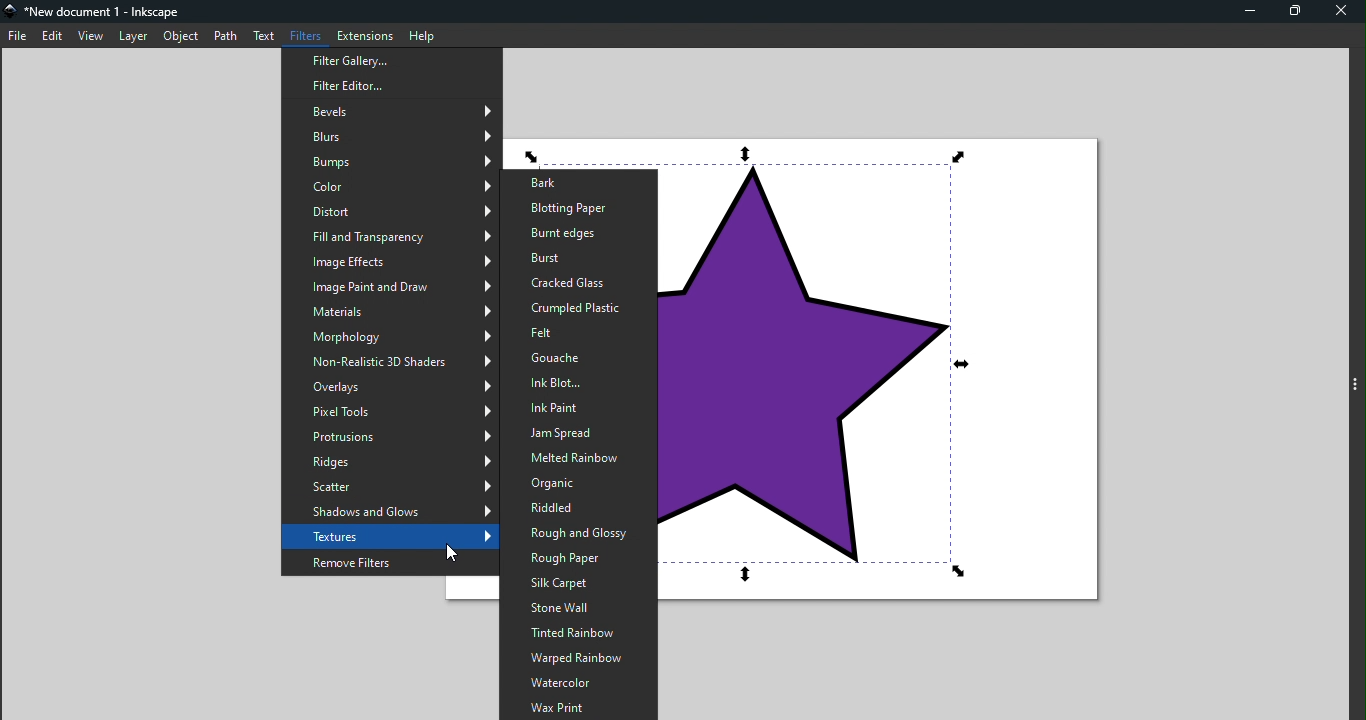 This screenshot has width=1366, height=720. What do you see at coordinates (1293, 13) in the screenshot?
I see `Maximize` at bounding box center [1293, 13].